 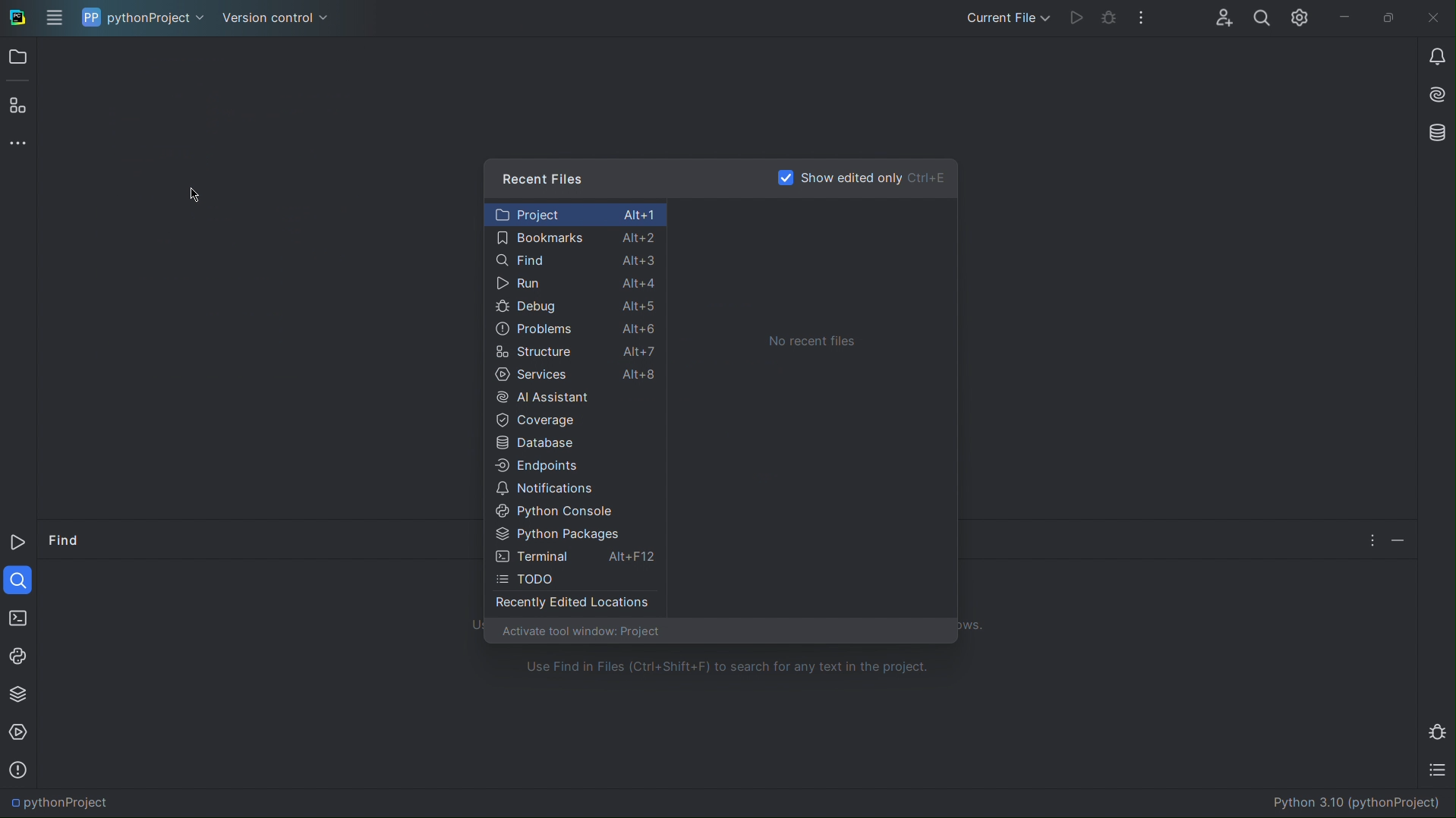 I want to click on Terminal, so click(x=577, y=556).